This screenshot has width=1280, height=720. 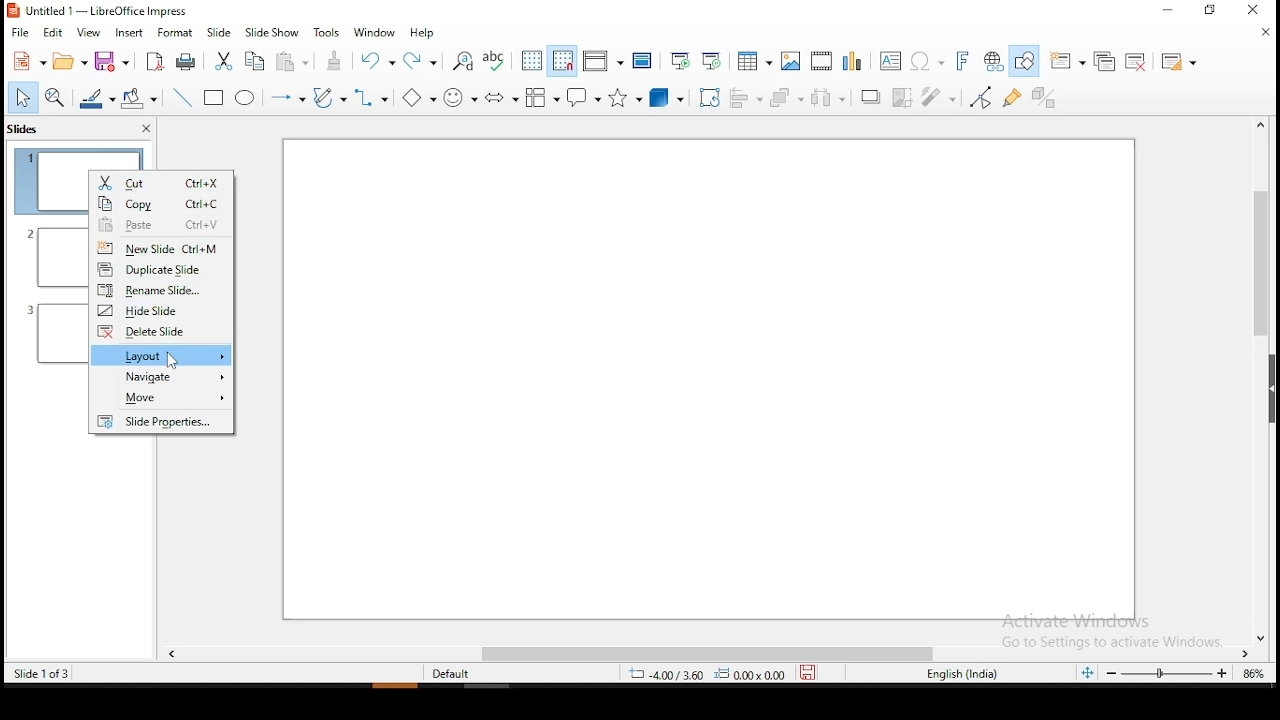 I want to click on scroll bar, so click(x=707, y=655).